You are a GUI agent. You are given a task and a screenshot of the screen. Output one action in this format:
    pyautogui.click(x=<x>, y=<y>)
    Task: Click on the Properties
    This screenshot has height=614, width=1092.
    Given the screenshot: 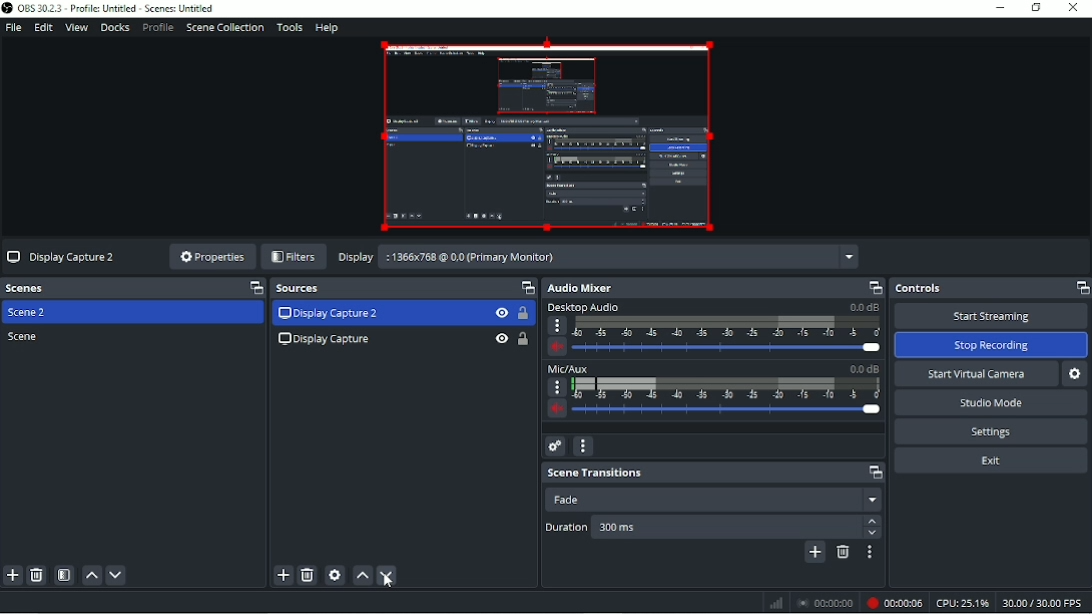 What is the action you would take?
    pyautogui.click(x=210, y=257)
    